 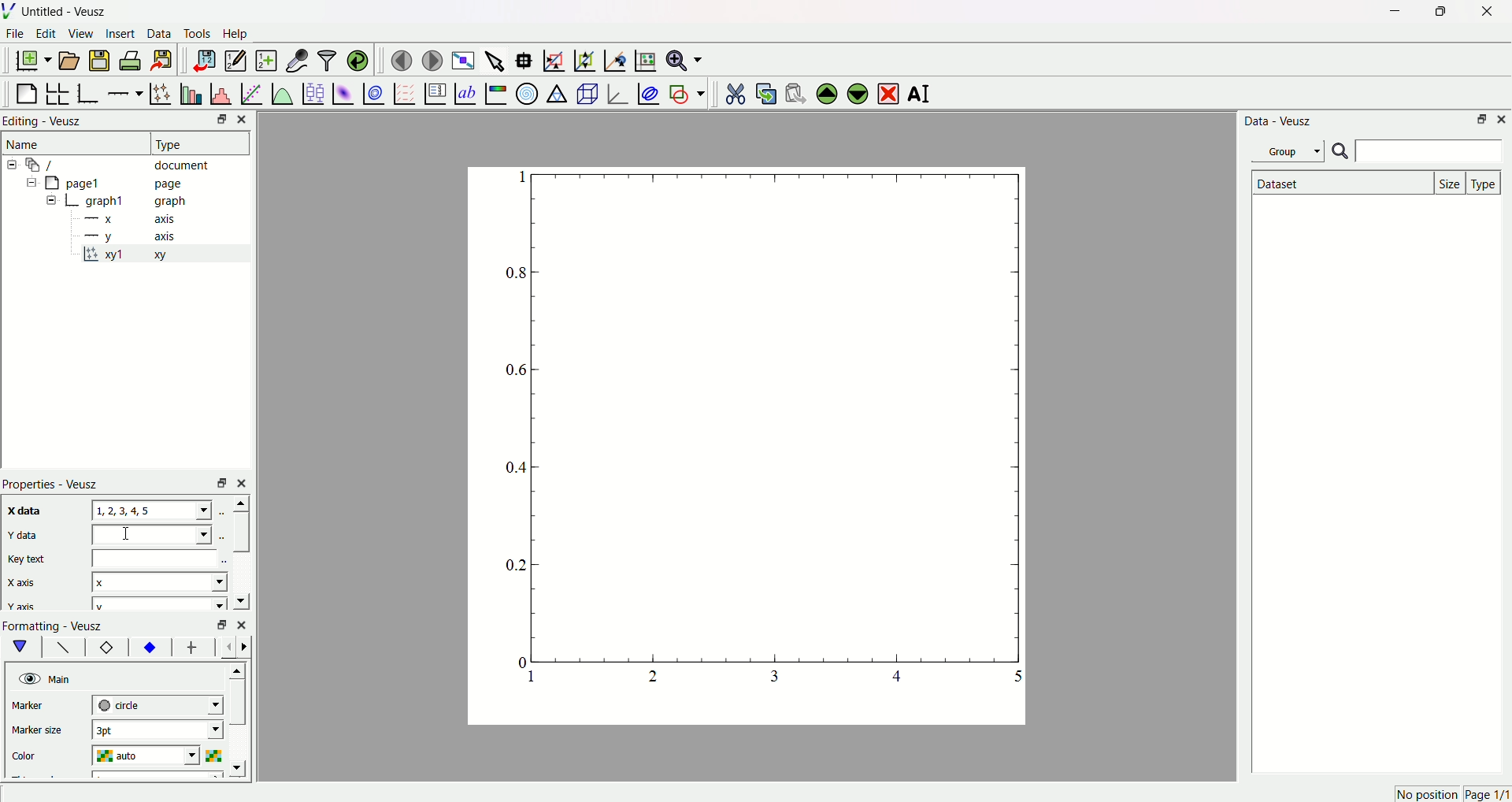 What do you see at coordinates (189, 91) in the screenshot?
I see `bar chart` at bounding box center [189, 91].